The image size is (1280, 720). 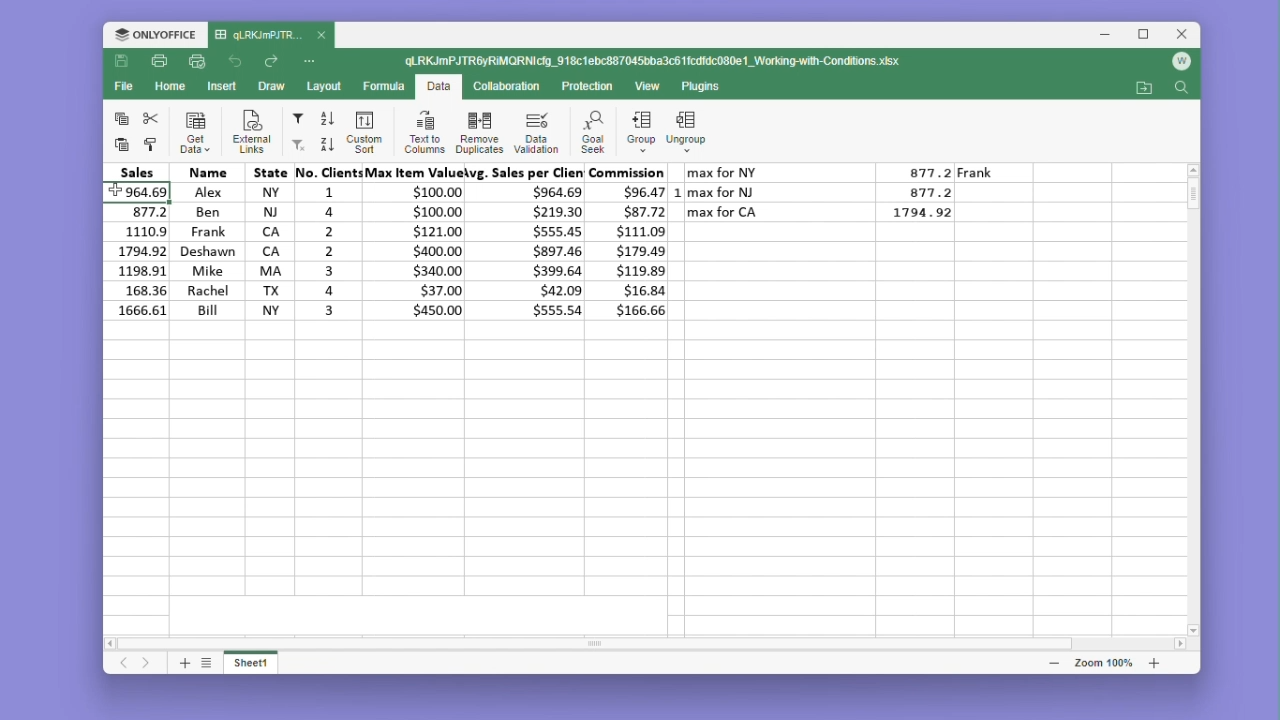 What do you see at coordinates (119, 144) in the screenshot?
I see `paste` at bounding box center [119, 144].